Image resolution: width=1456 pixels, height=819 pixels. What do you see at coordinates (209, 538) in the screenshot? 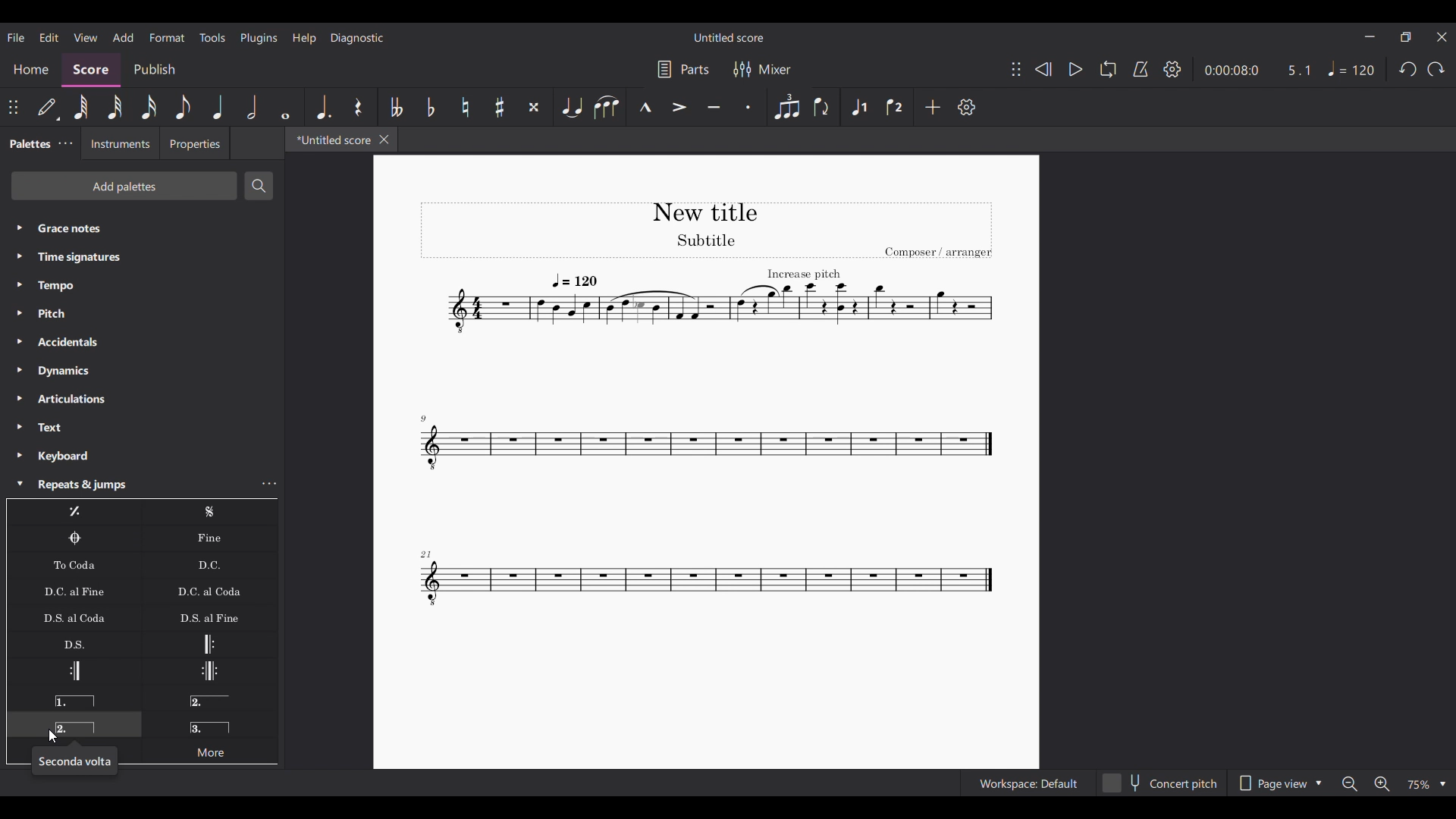
I see `Fine` at bounding box center [209, 538].